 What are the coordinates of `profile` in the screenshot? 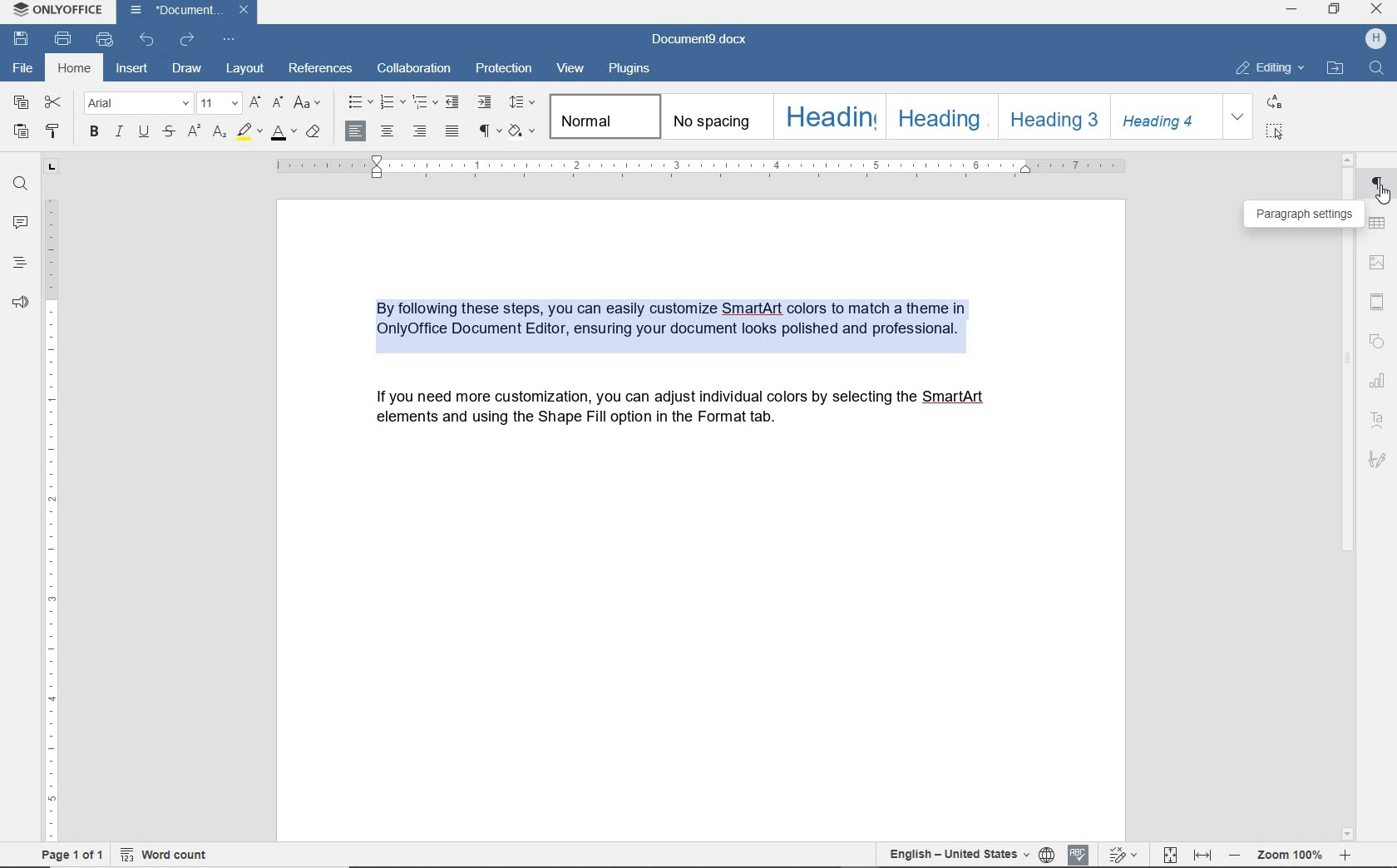 It's located at (1375, 40).